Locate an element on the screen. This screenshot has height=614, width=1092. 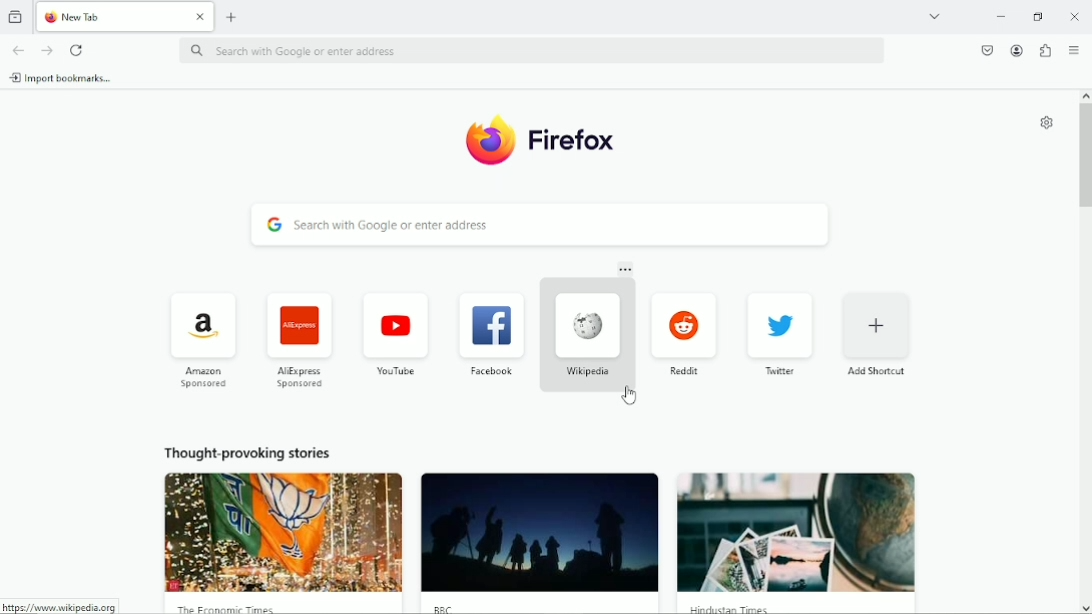
AliExpress Sponsored is located at coordinates (300, 339).